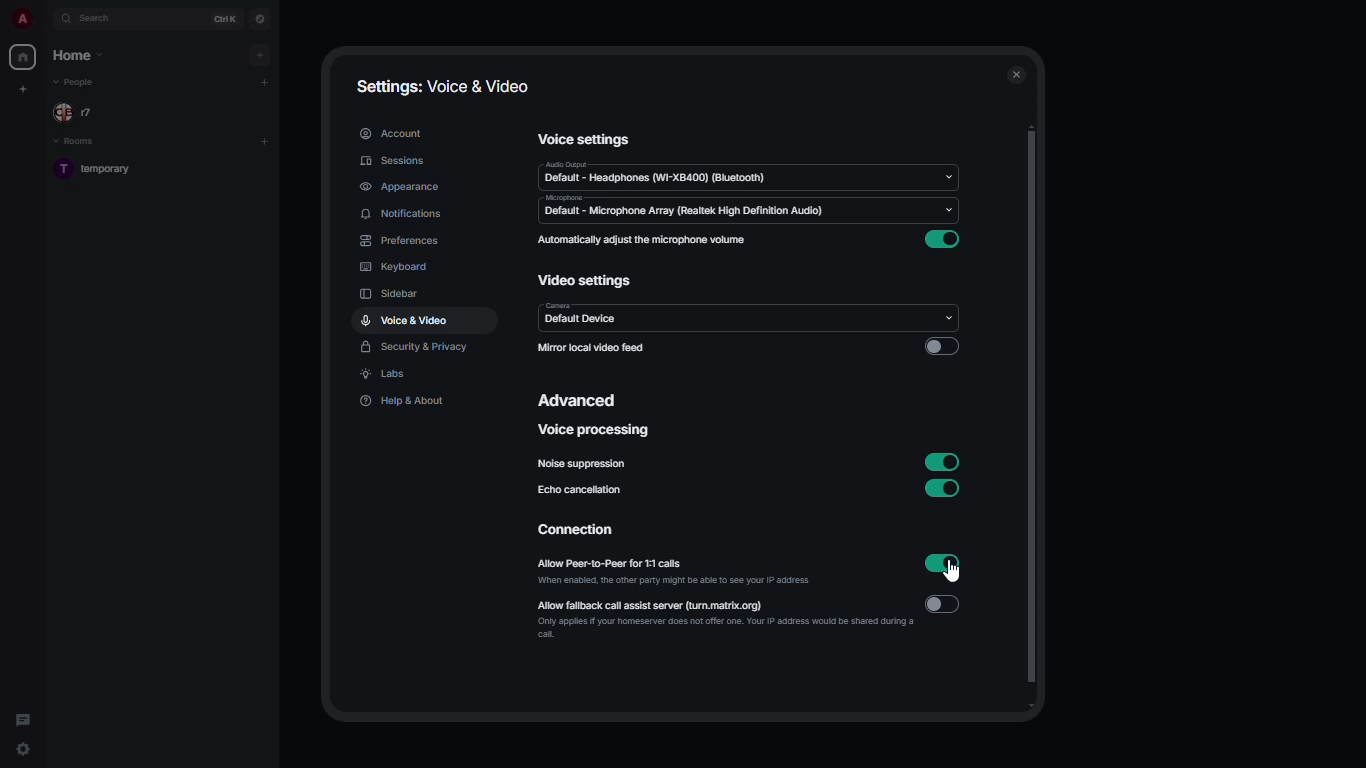 This screenshot has width=1366, height=768. What do you see at coordinates (100, 170) in the screenshot?
I see `room` at bounding box center [100, 170].